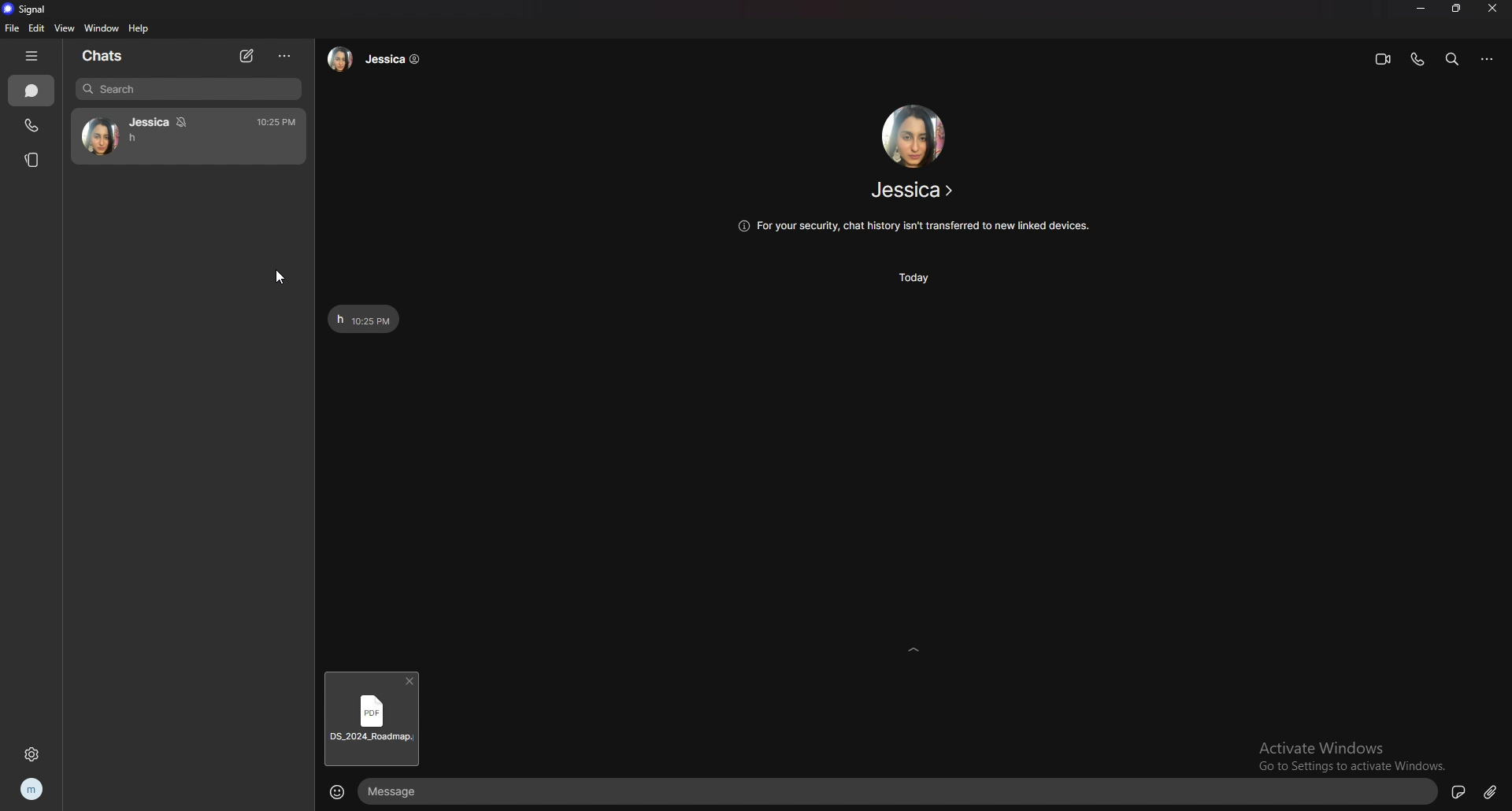 The height and width of the screenshot is (811, 1512). Describe the element at coordinates (102, 55) in the screenshot. I see `chats` at that location.